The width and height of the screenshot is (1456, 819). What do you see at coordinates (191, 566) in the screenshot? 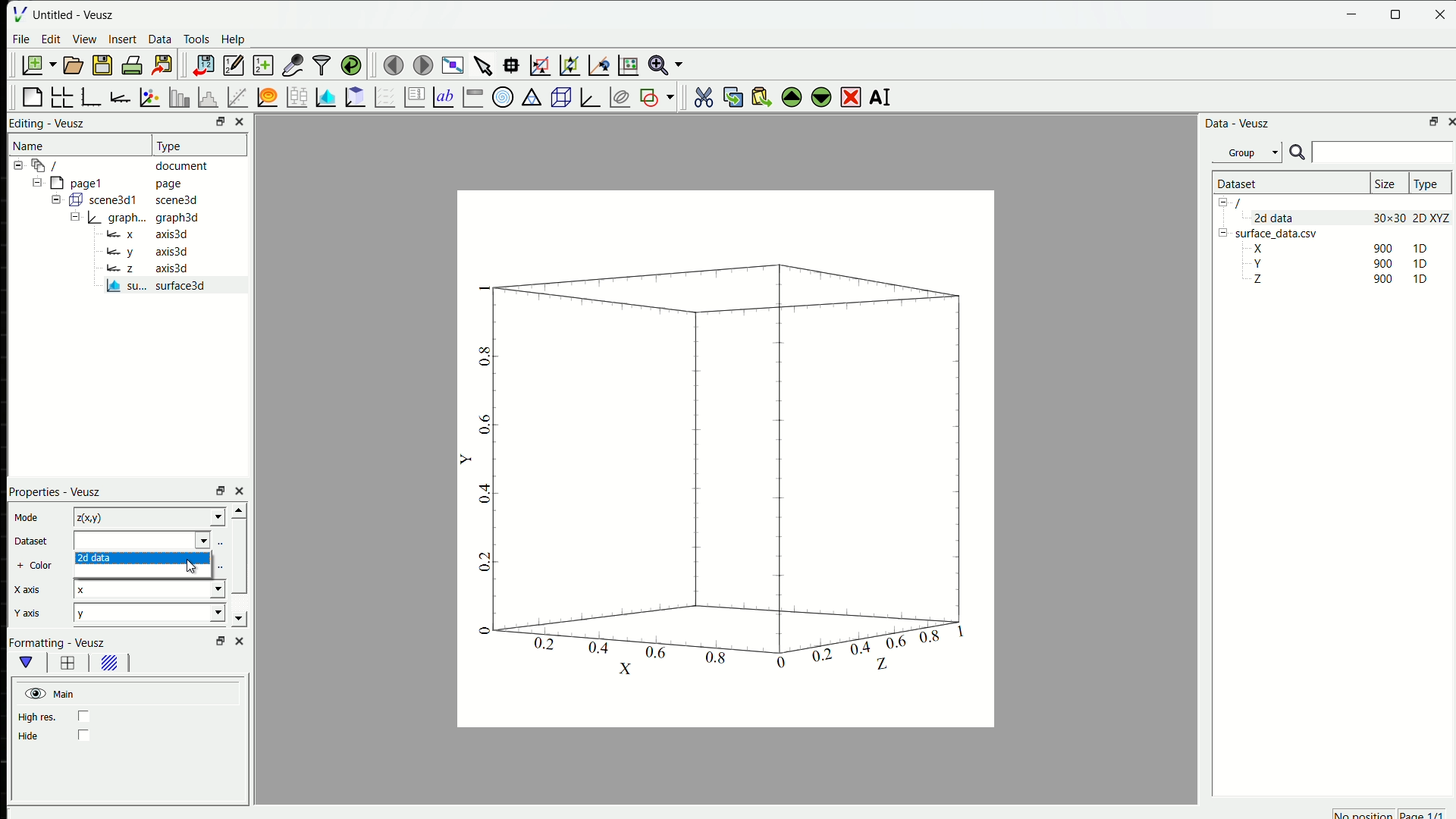
I see `cursor` at bounding box center [191, 566].